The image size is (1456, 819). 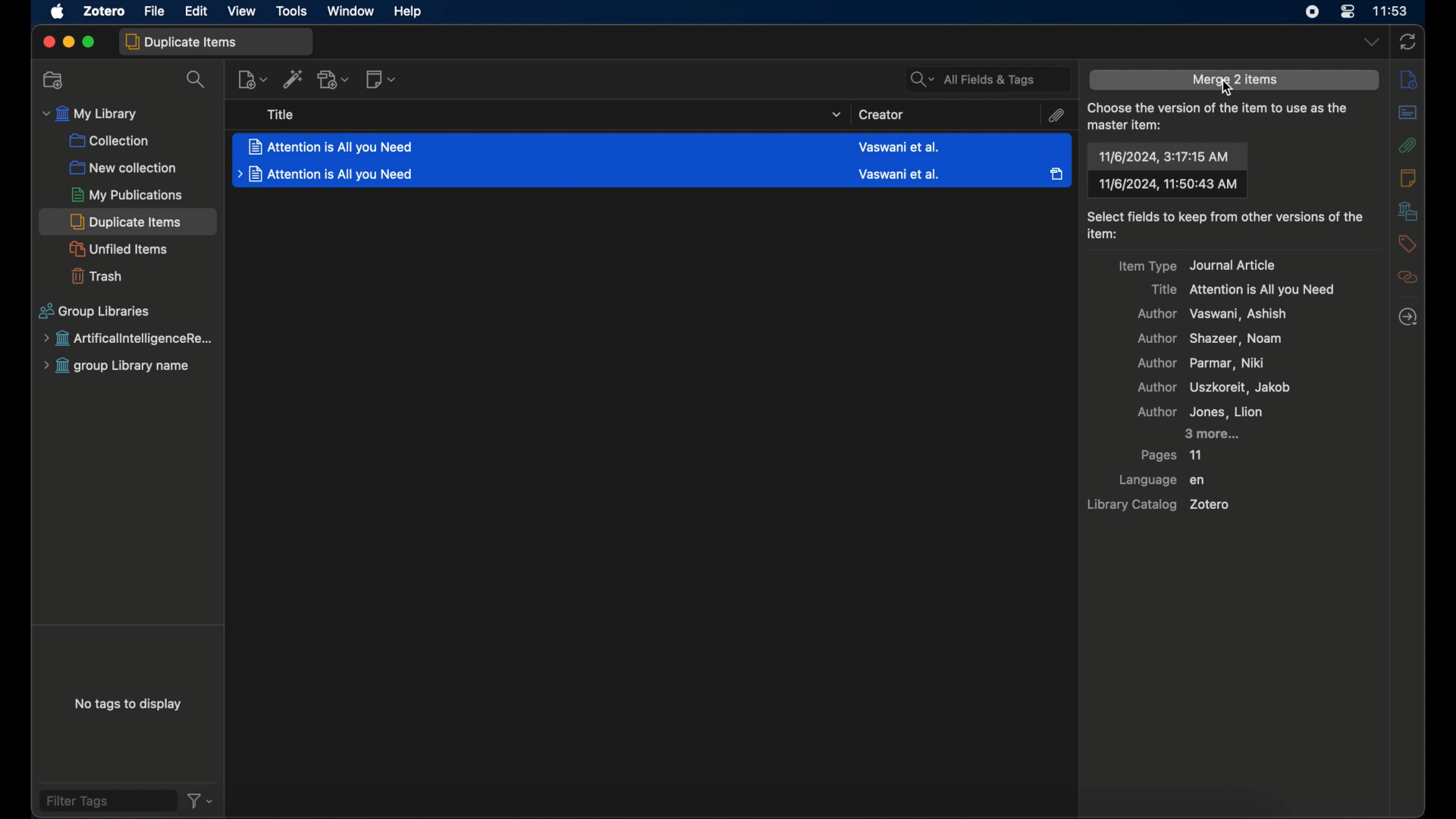 What do you see at coordinates (253, 80) in the screenshot?
I see `new item` at bounding box center [253, 80].